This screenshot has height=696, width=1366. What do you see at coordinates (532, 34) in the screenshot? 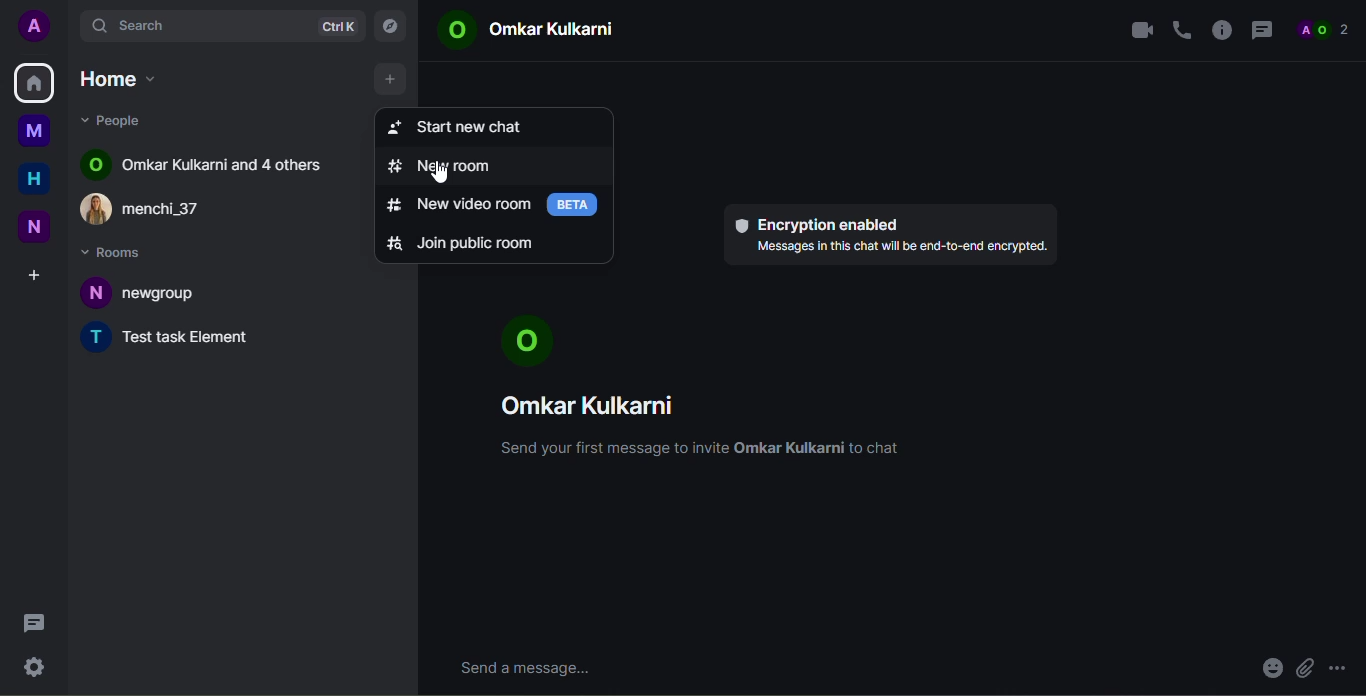
I see `©  Omkar Kulkarni` at bounding box center [532, 34].